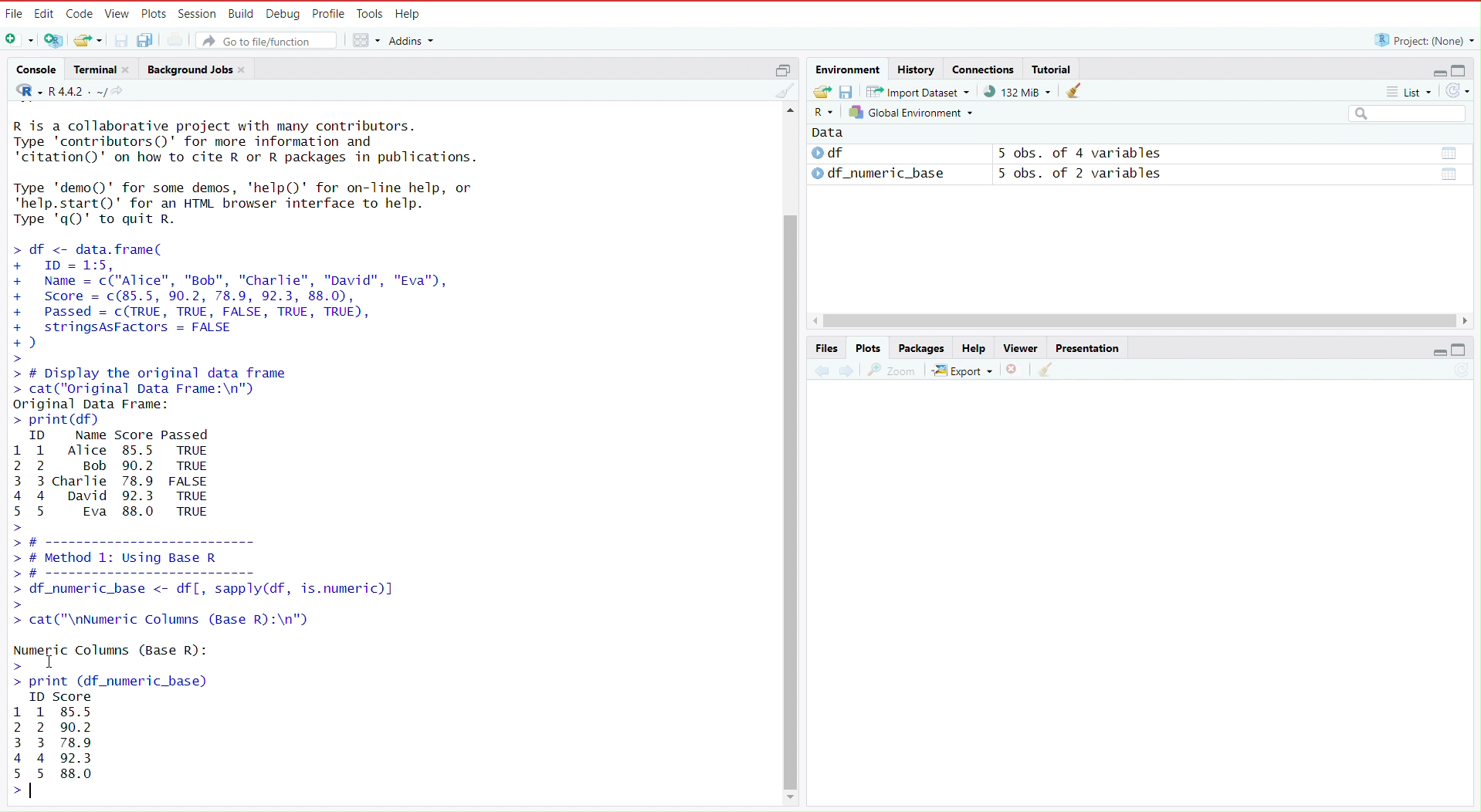 The height and width of the screenshot is (812, 1481). Describe the element at coordinates (1054, 69) in the screenshot. I see `Tutorial` at that location.